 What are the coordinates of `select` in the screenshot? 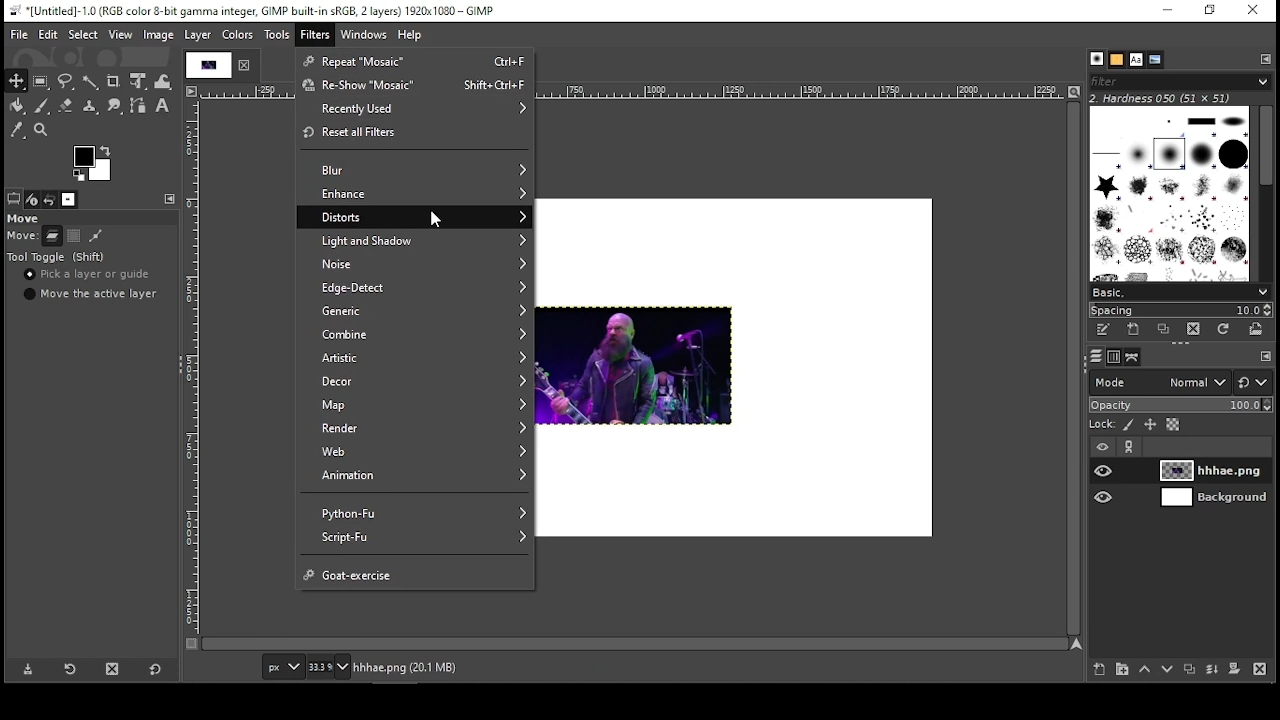 It's located at (82, 34).